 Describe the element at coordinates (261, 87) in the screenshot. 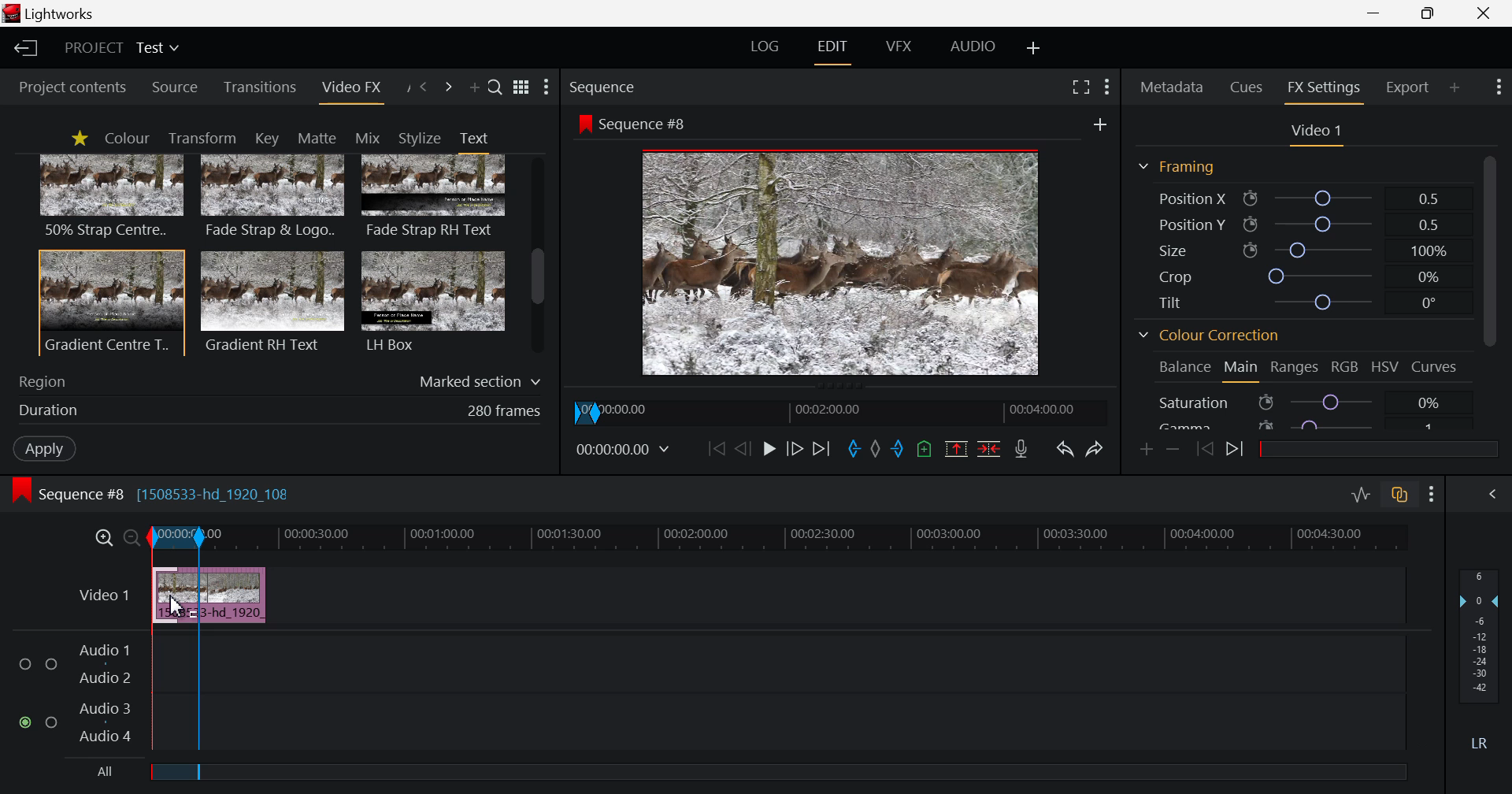

I see `Transitions` at that location.